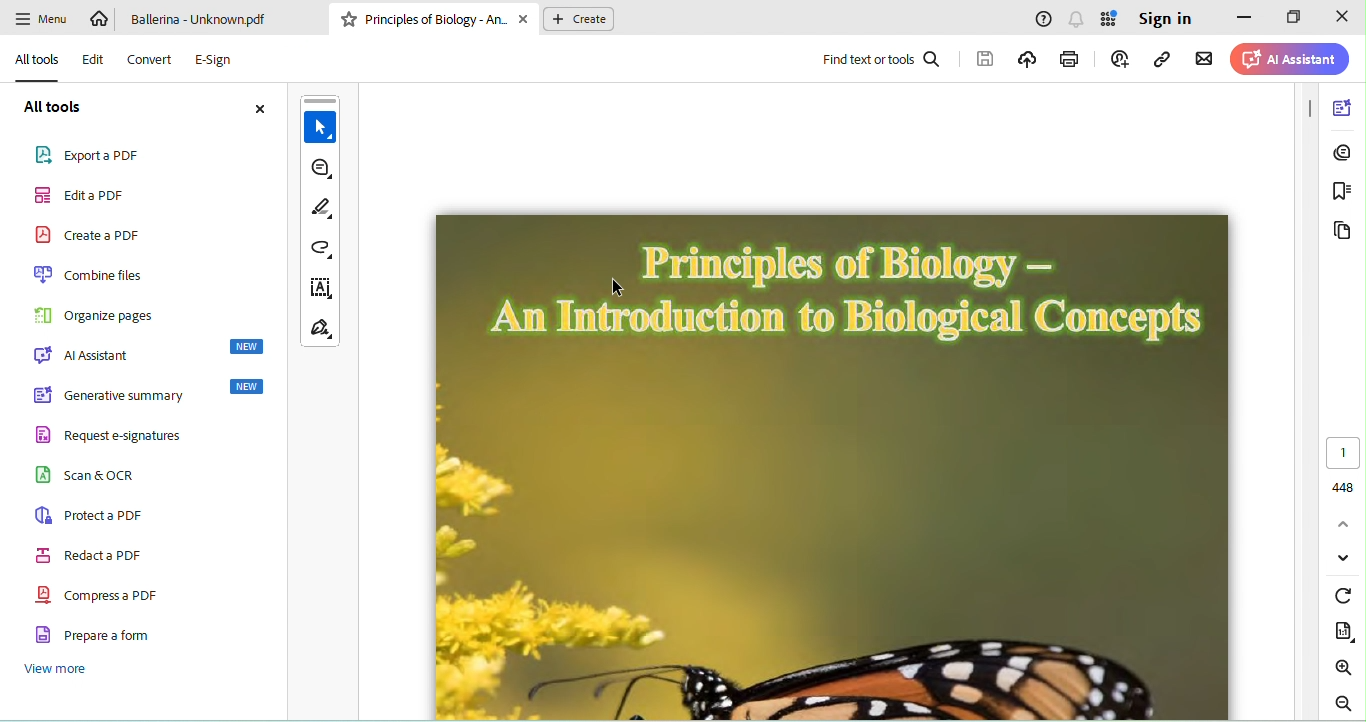 This screenshot has height=722, width=1366. I want to click on protect a pdf, so click(94, 515).